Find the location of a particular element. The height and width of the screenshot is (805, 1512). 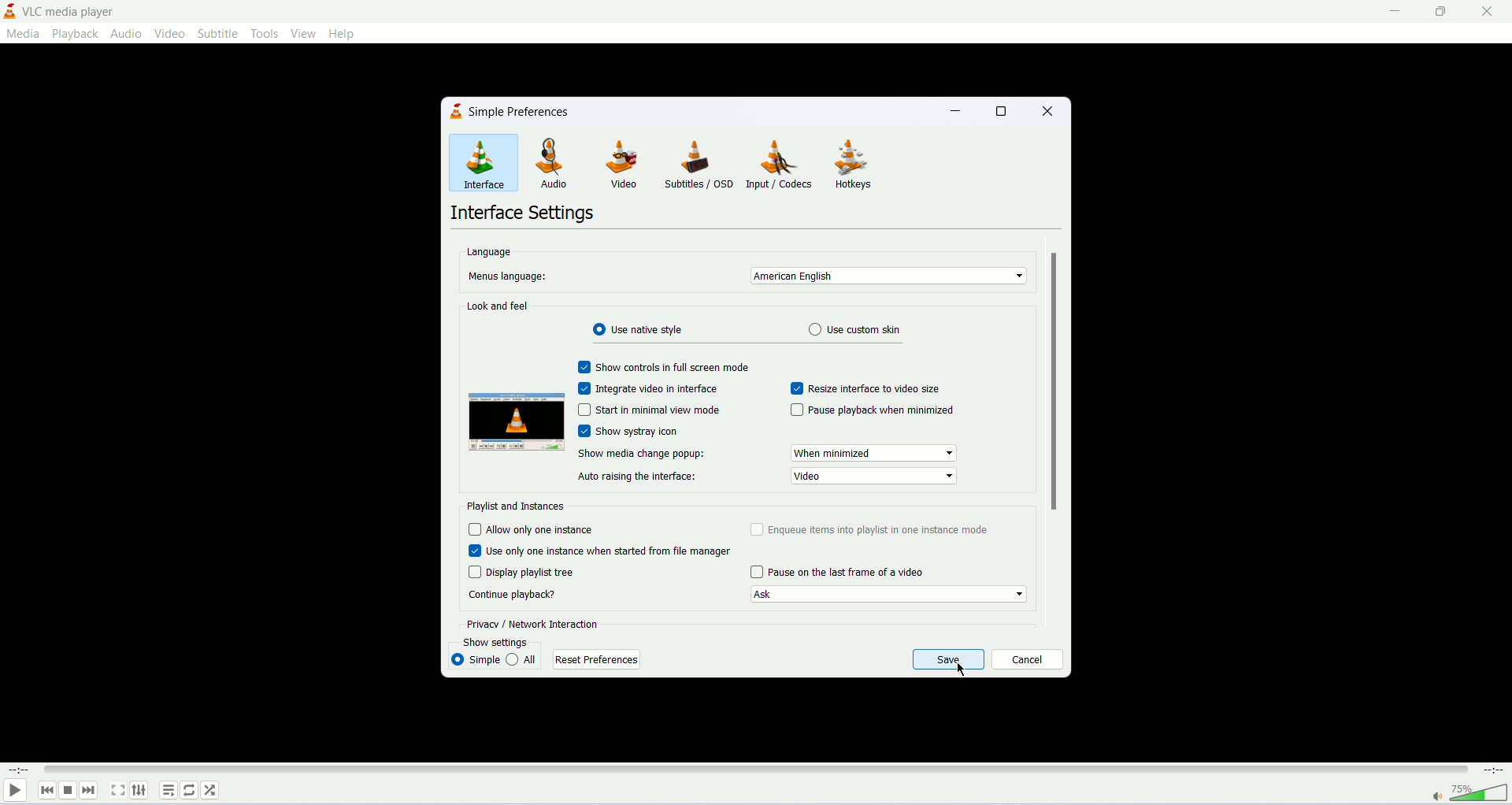

allow only one instance is located at coordinates (532, 529).